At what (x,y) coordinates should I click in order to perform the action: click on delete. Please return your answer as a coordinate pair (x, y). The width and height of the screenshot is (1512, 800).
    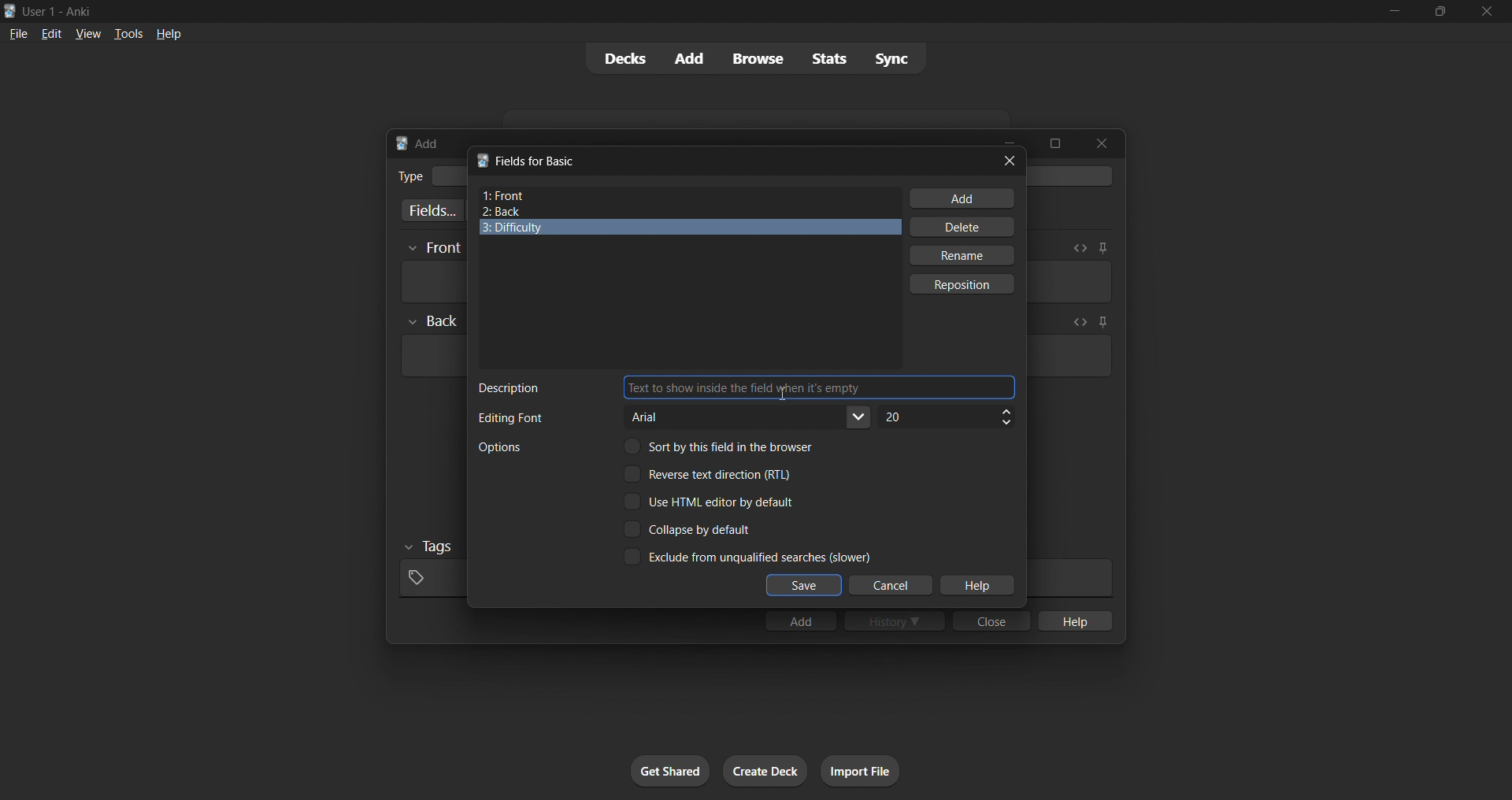
    Looking at the image, I should click on (964, 227).